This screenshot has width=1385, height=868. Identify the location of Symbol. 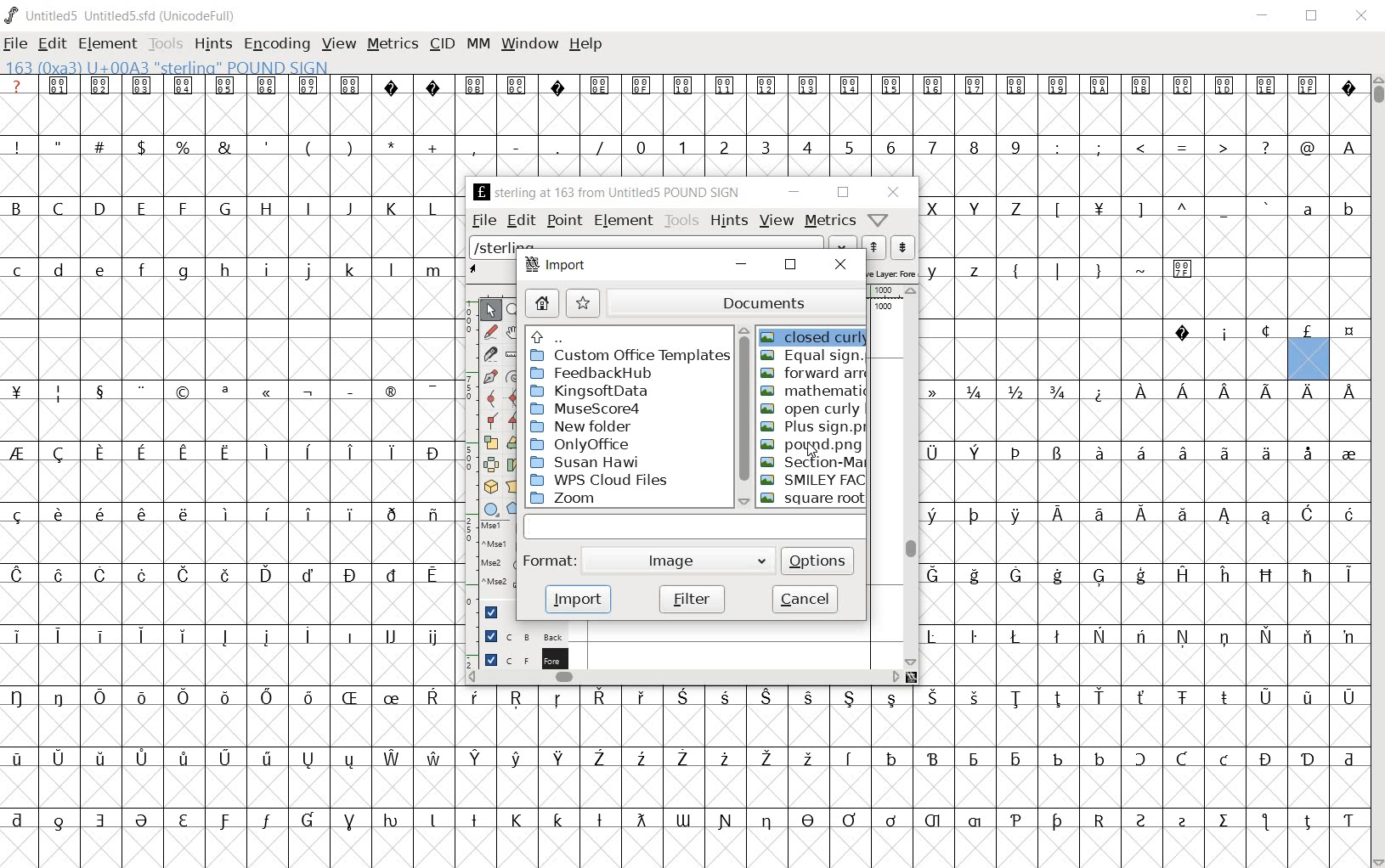
(1143, 760).